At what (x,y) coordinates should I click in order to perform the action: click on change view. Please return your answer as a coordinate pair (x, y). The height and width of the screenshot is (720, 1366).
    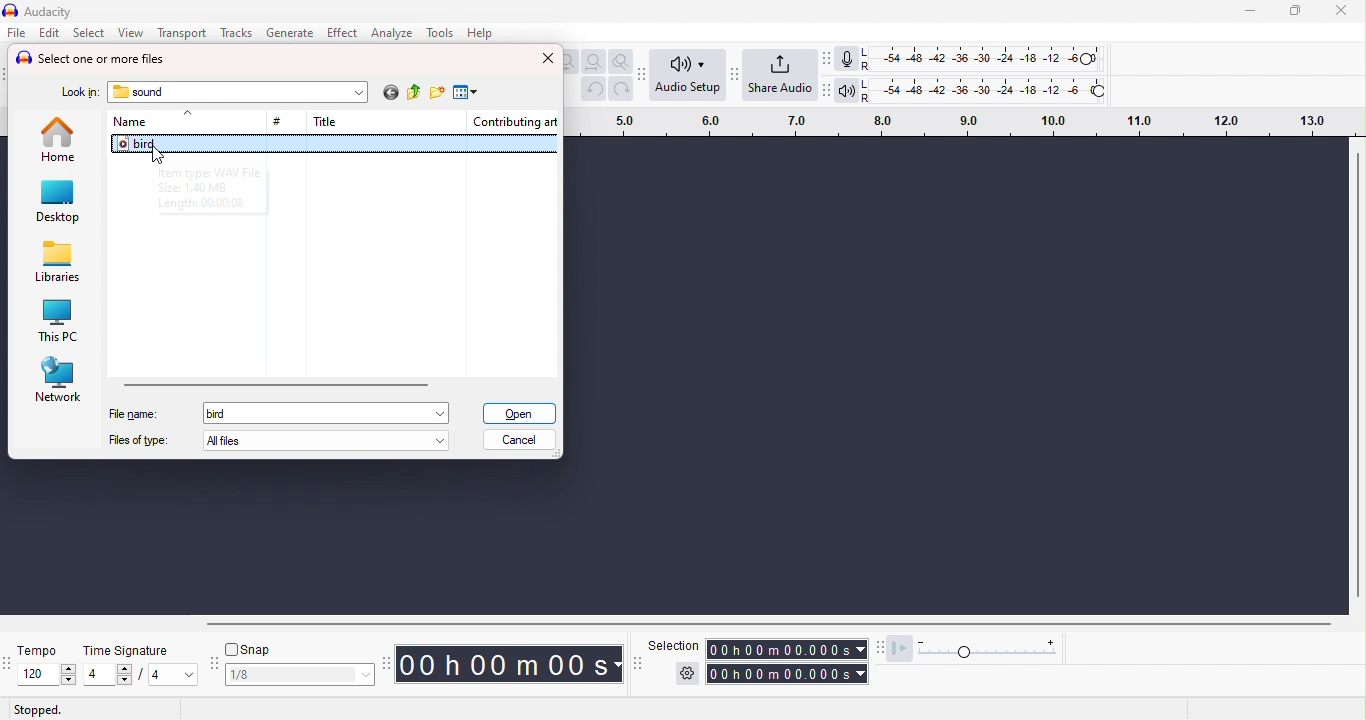
    Looking at the image, I should click on (464, 93).